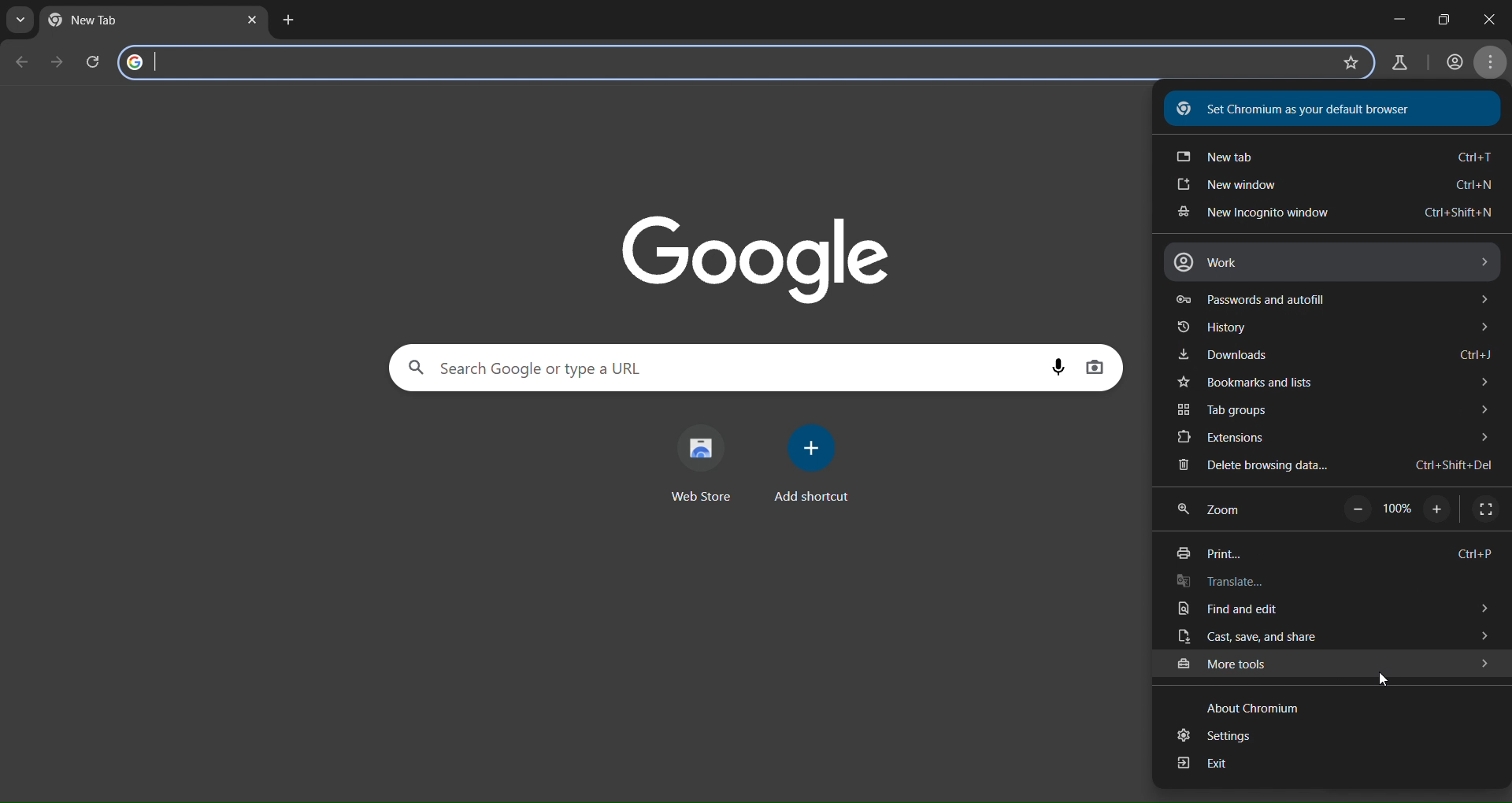 This screenshot has width=1512, height=803. I want to click on About Chromium, so click(1256, 704).